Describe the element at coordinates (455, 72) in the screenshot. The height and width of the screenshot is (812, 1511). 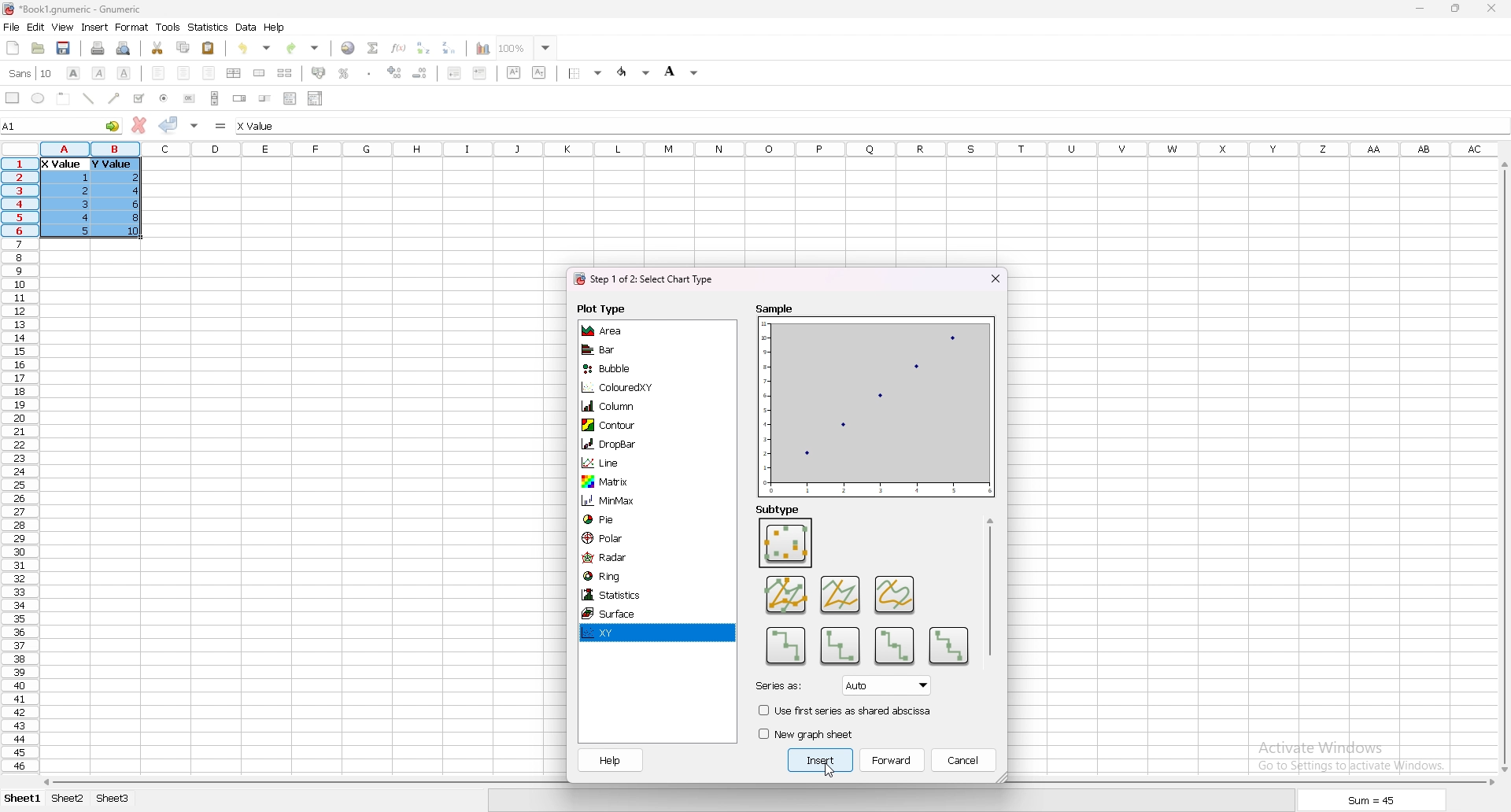
I see `decrease indent` at that location.